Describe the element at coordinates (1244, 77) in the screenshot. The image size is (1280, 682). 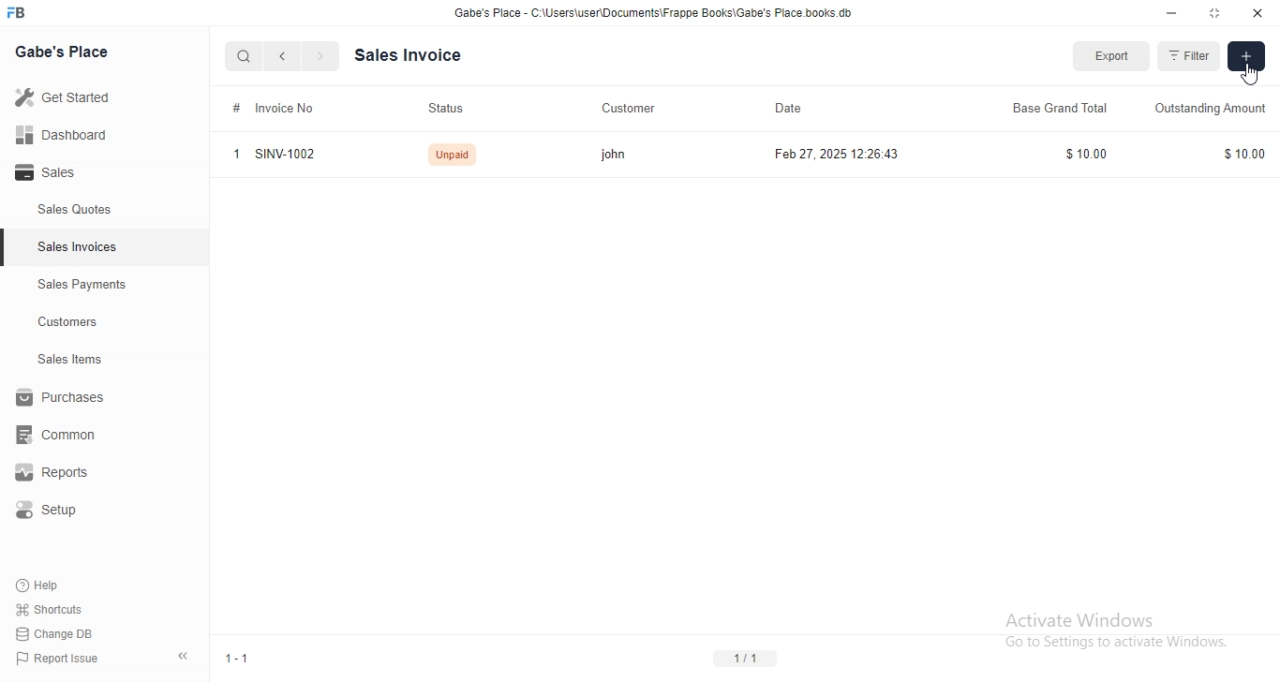
I see `cursor` at that location.